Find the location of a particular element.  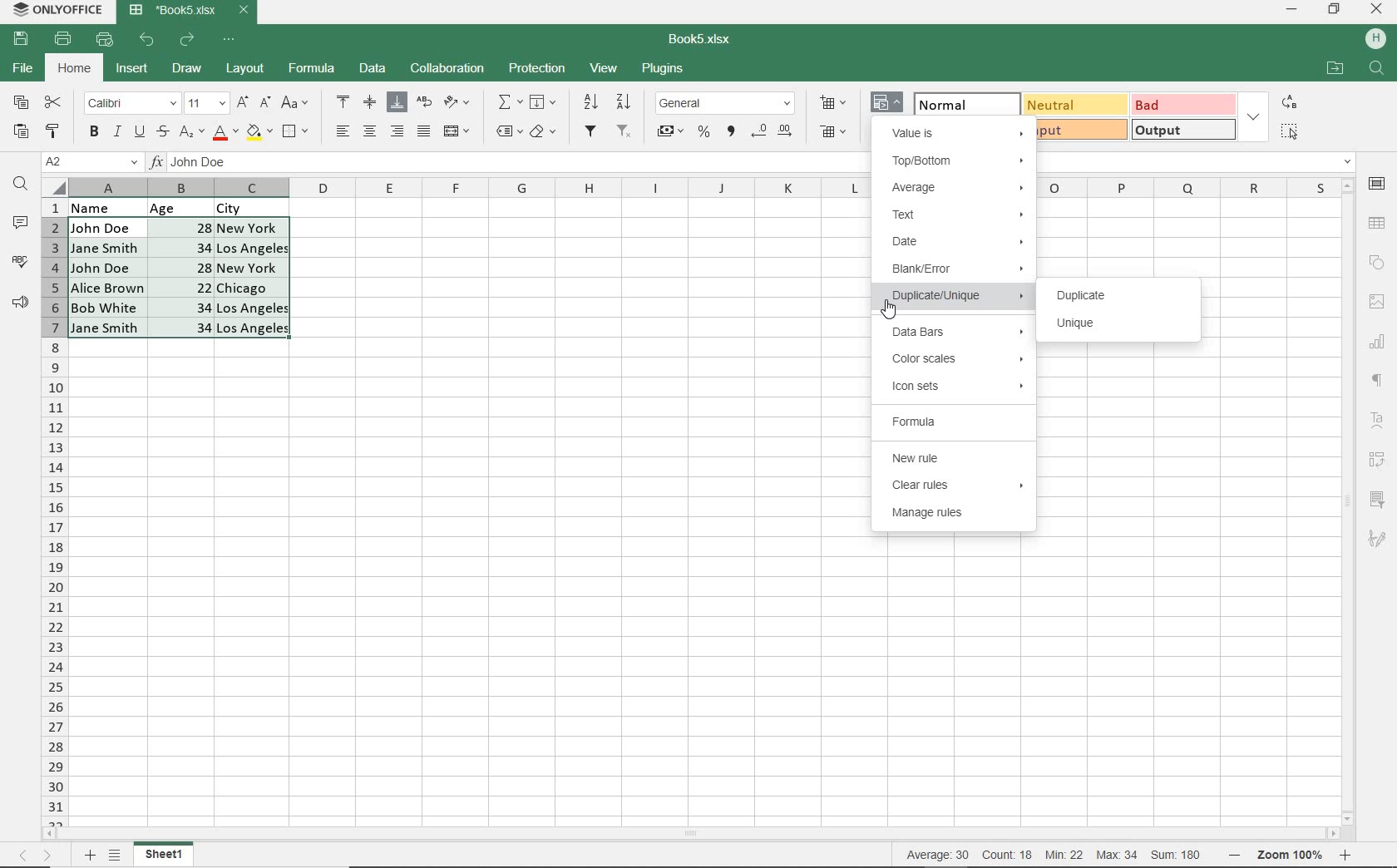

DECREMENT FONT SIZE is located at coordinates (265, 101).